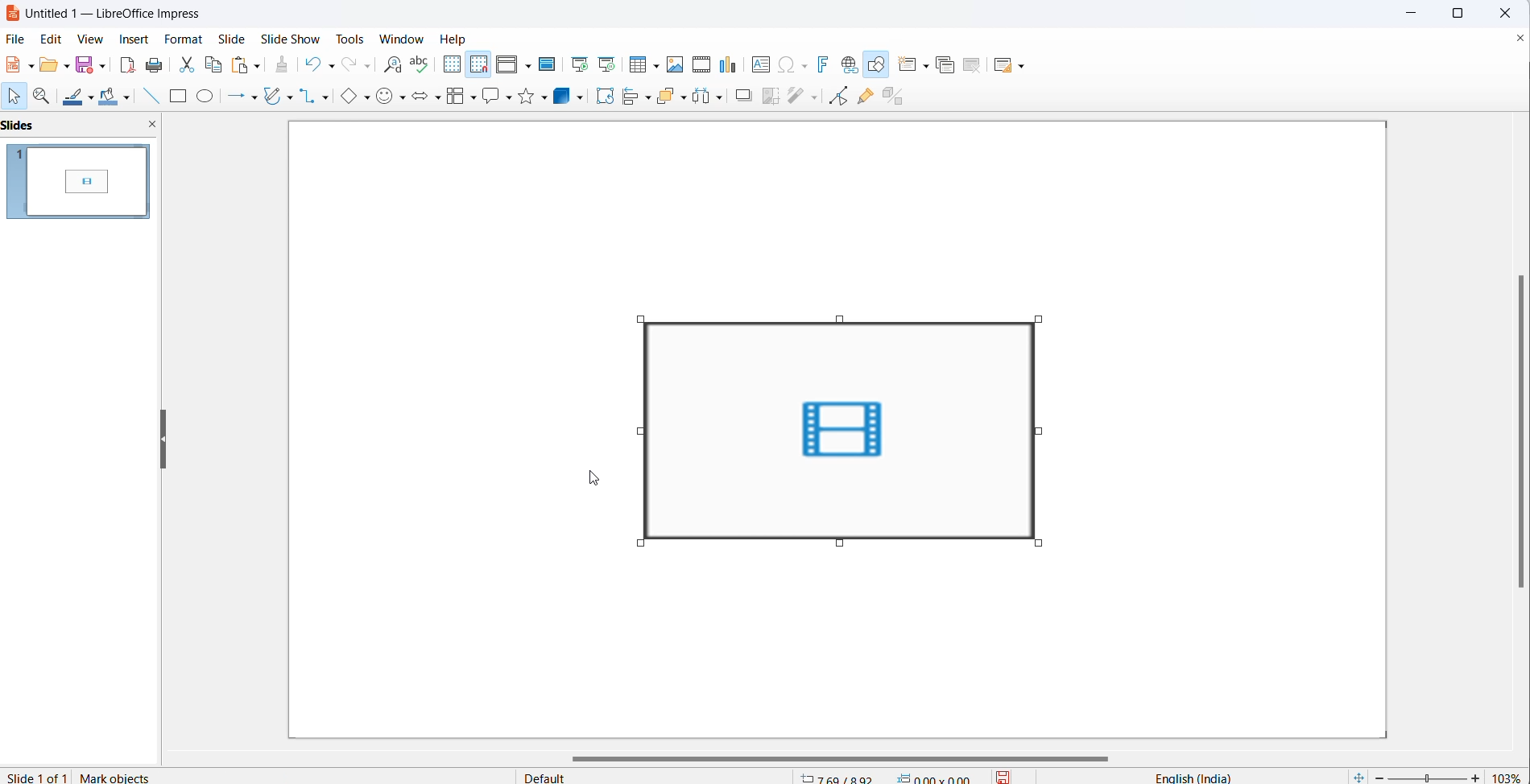 The width and height of the screenshot is (1530, 784). Describe the element at coordinates (421, 64) in the screenshot. I see `spellings` at that location.